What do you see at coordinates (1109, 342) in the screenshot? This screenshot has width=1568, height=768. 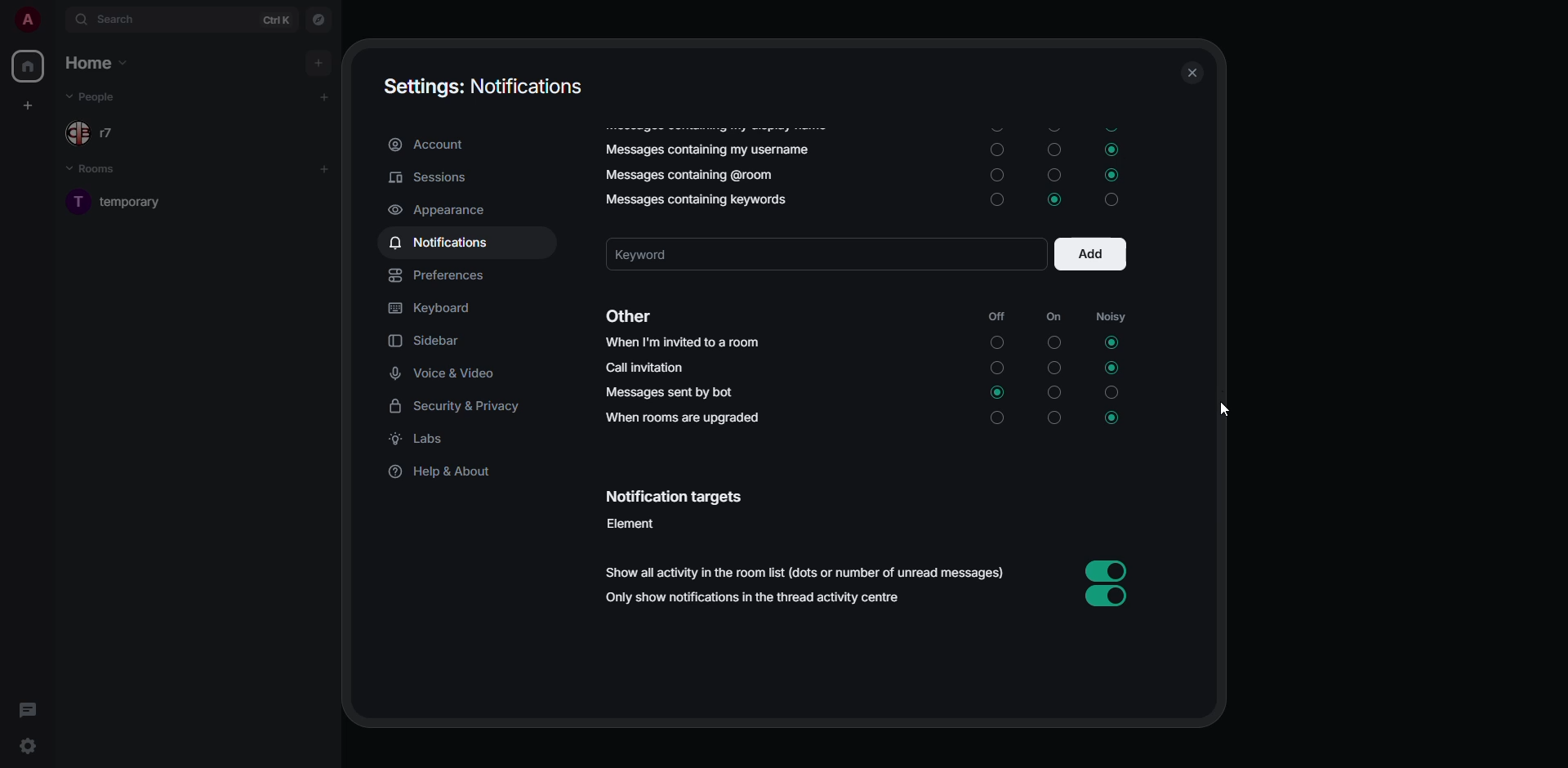 I see `selected` at bounding box center [1109, 342].